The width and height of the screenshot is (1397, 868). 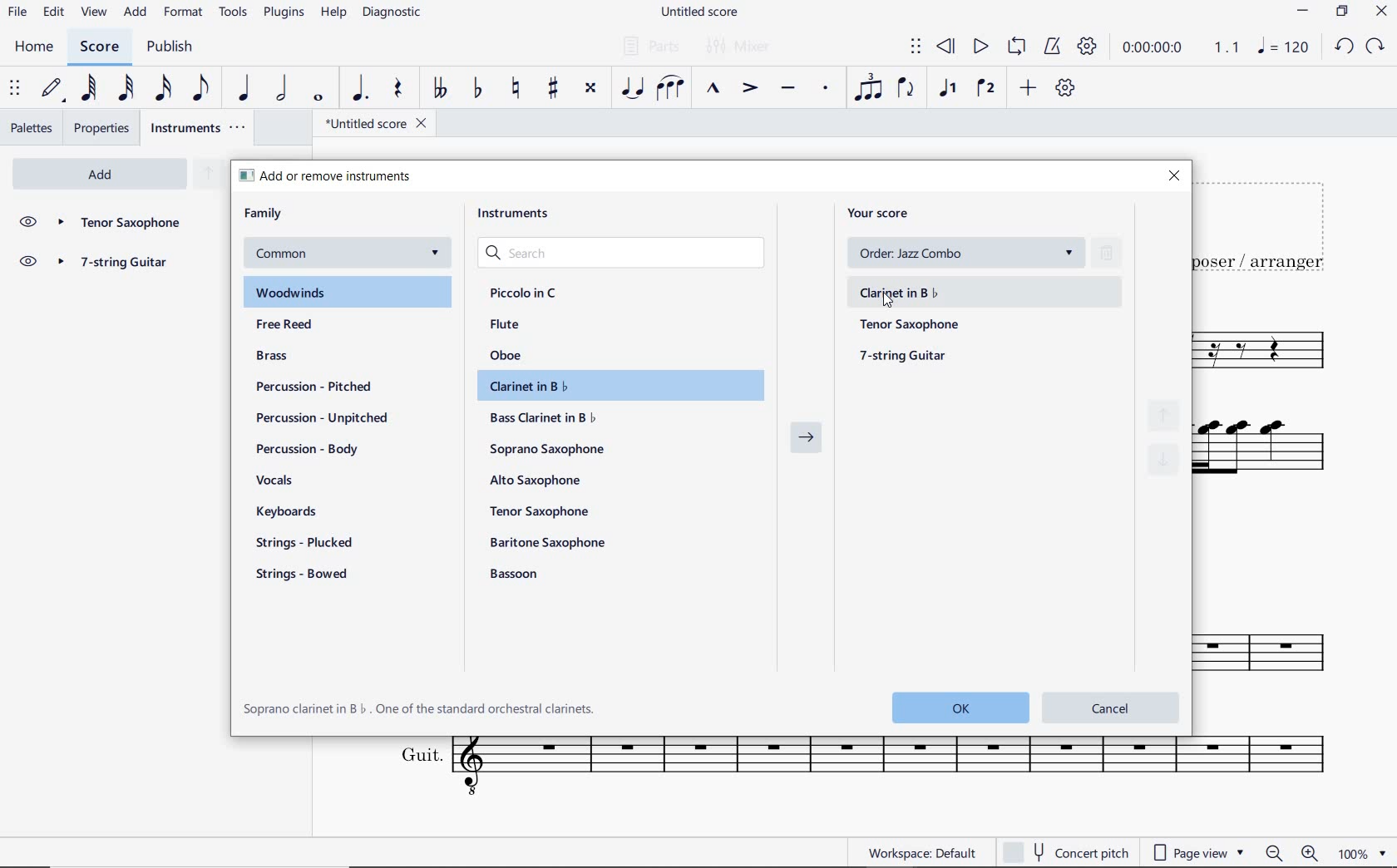 What do you see at coordinates (167, 47) in the screenshot?
I see `PUBLISH` at bounding box center [167, 47].